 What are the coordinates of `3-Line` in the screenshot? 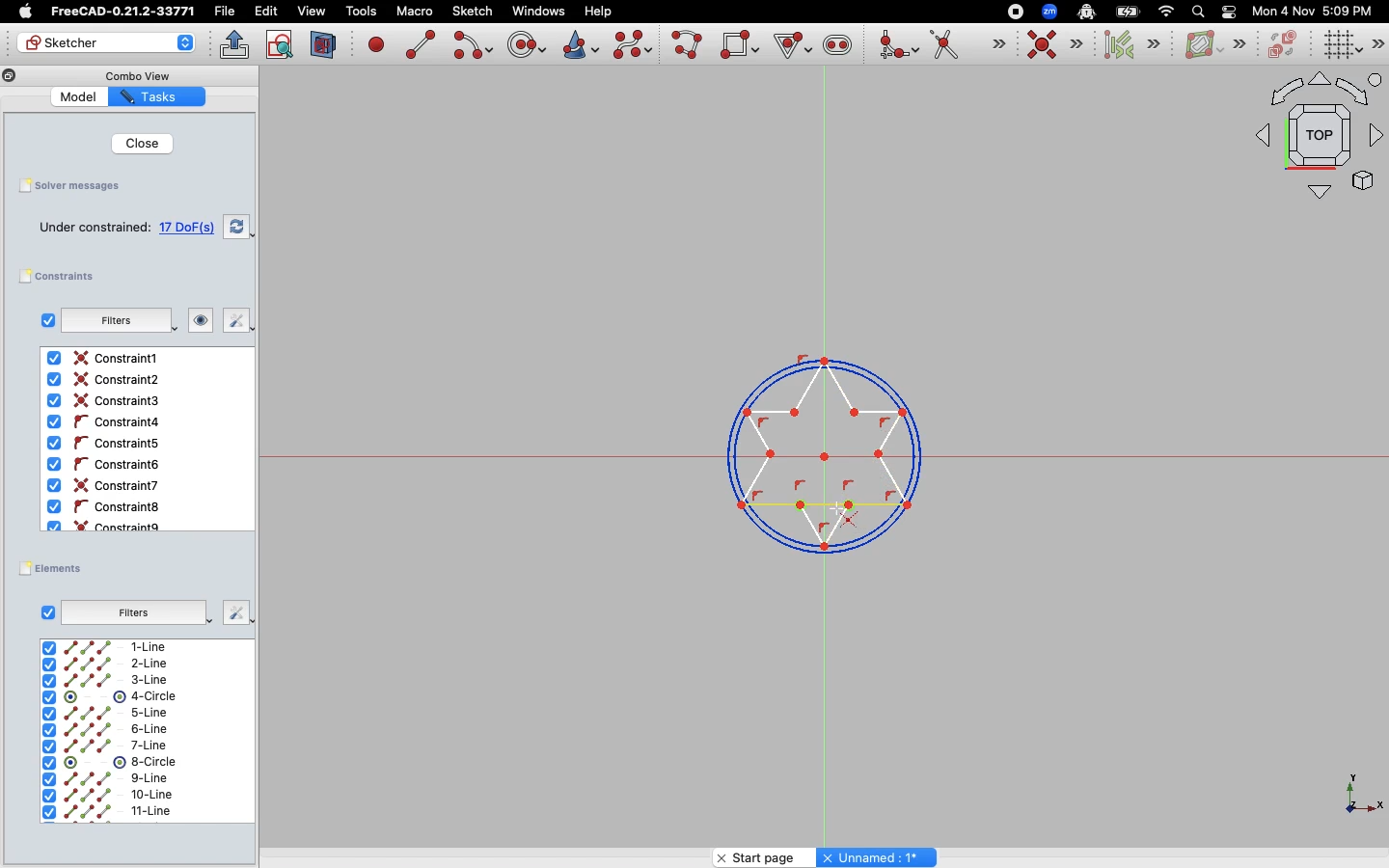 It's located at (118, 680).